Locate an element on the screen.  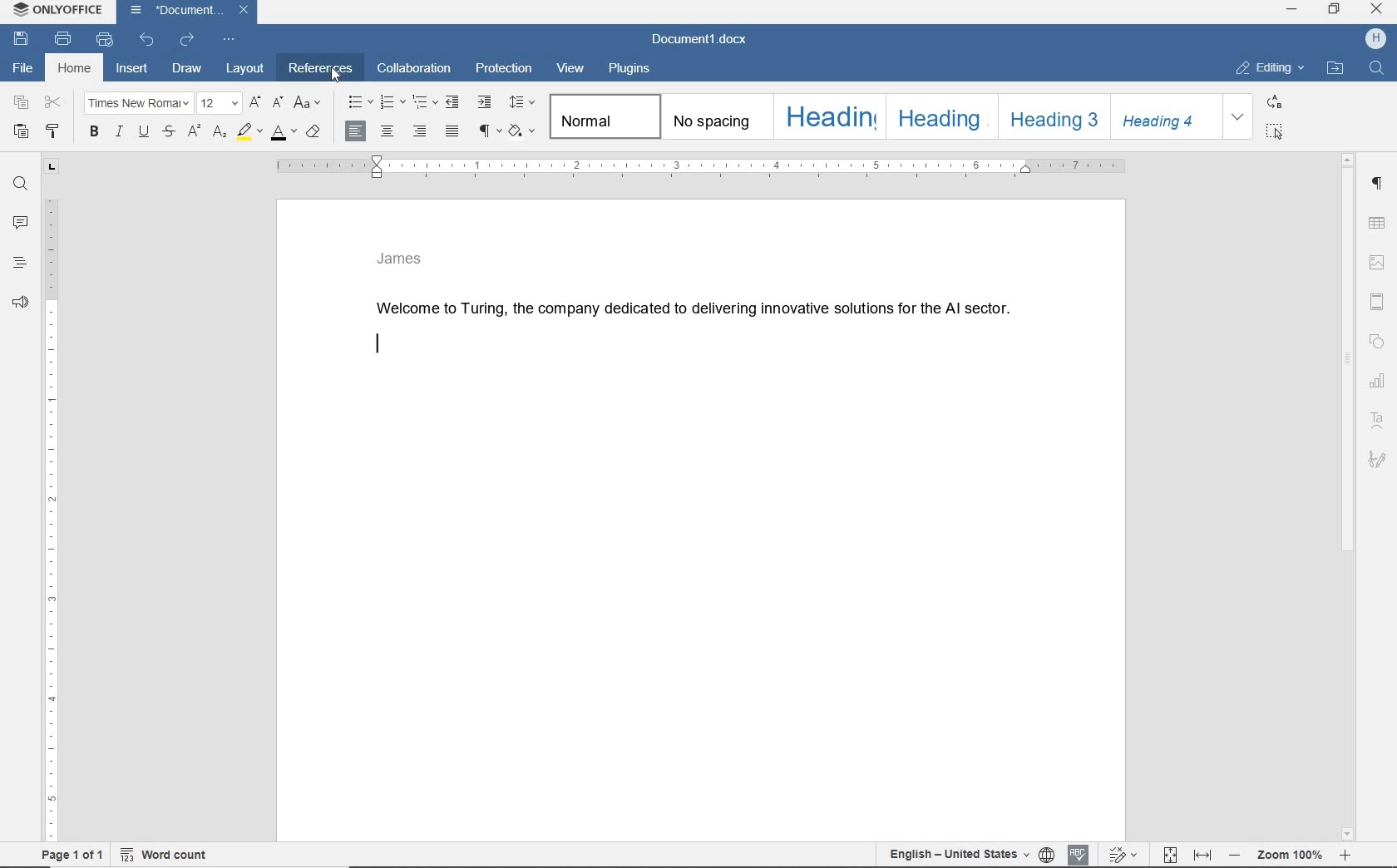
superscript is located at coordinates (195, 133).